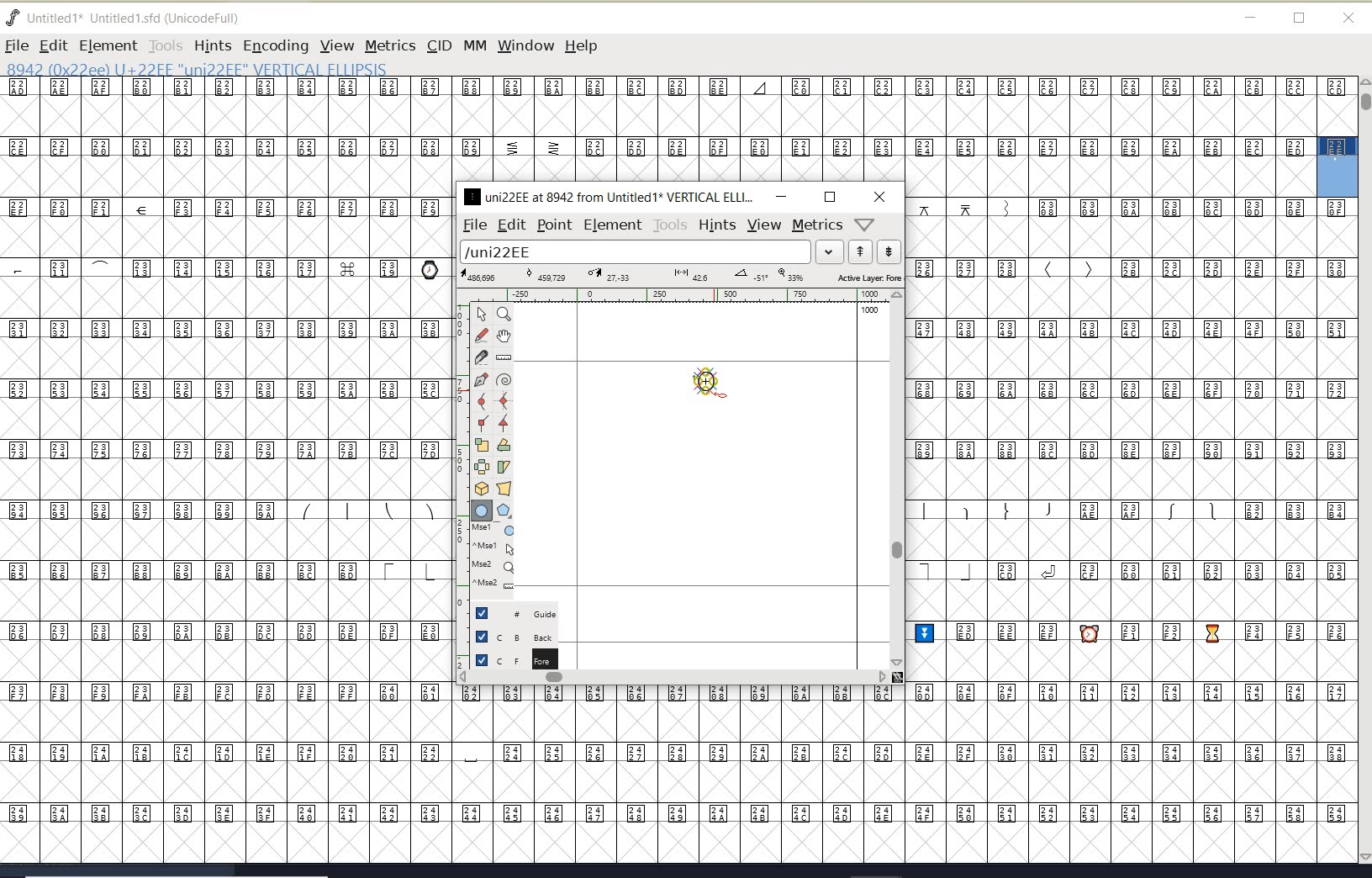 This screenshot has width=1372, height=878. What do you see at coordinates (553, 225) in the screenshot?
I see `point` at bounding box center [553, 225].